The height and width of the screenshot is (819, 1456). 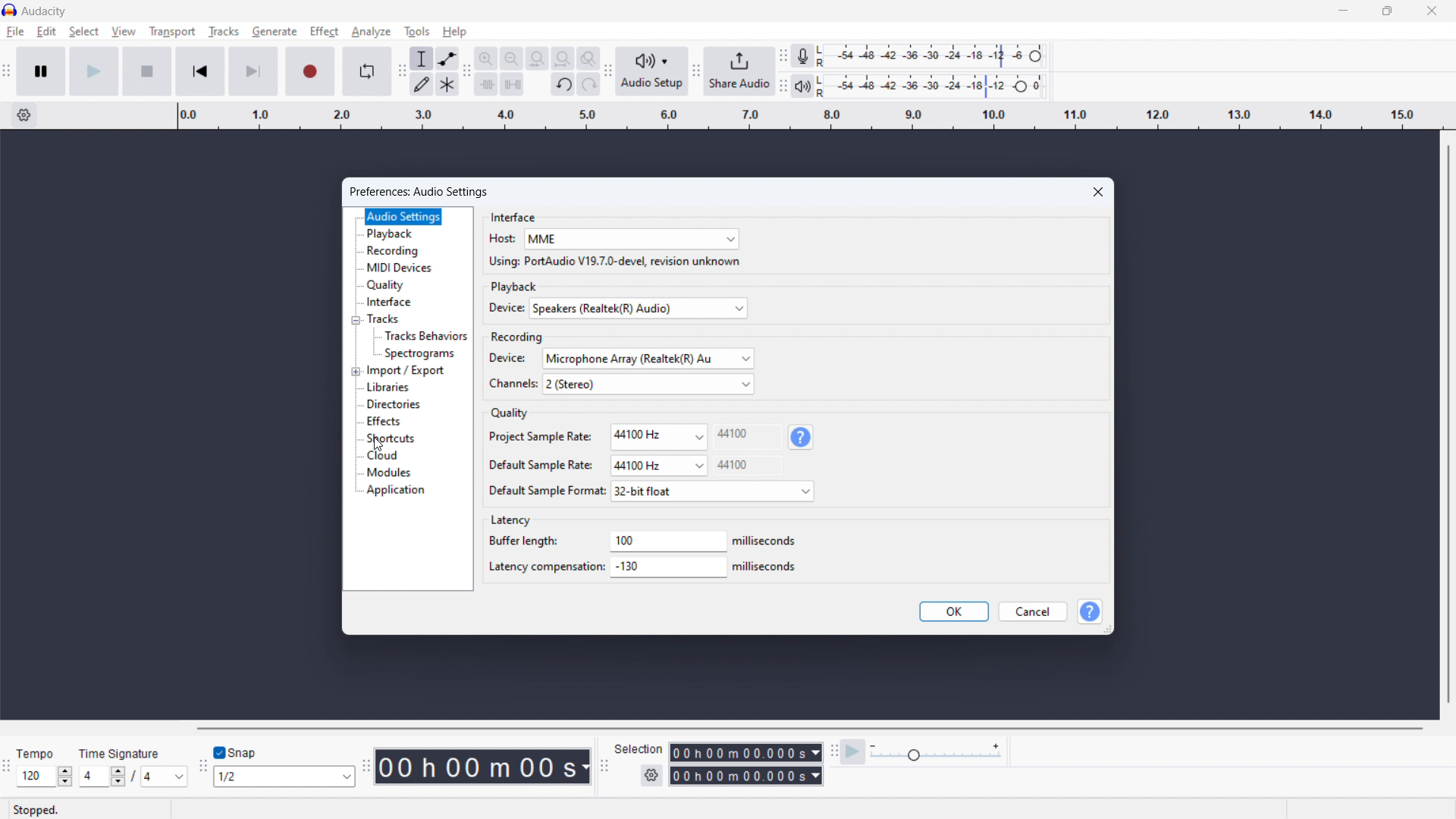 I want to click on silence audio selection, so click(x=512, y=84).